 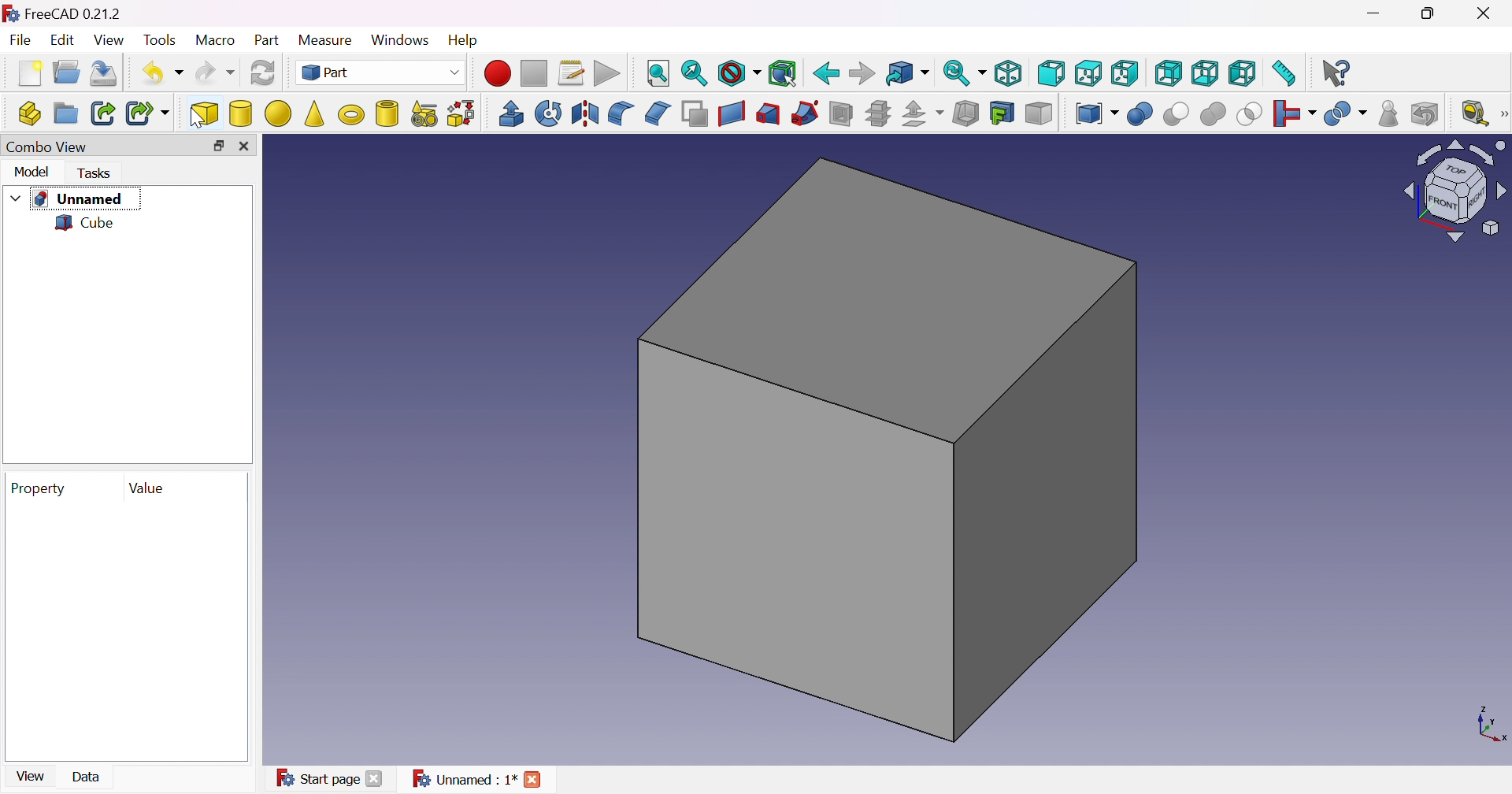 What do you see at coordinates (1002, 113) in the screenshot?
I see `Create projection on surface` at bounding box center [1002, 113].